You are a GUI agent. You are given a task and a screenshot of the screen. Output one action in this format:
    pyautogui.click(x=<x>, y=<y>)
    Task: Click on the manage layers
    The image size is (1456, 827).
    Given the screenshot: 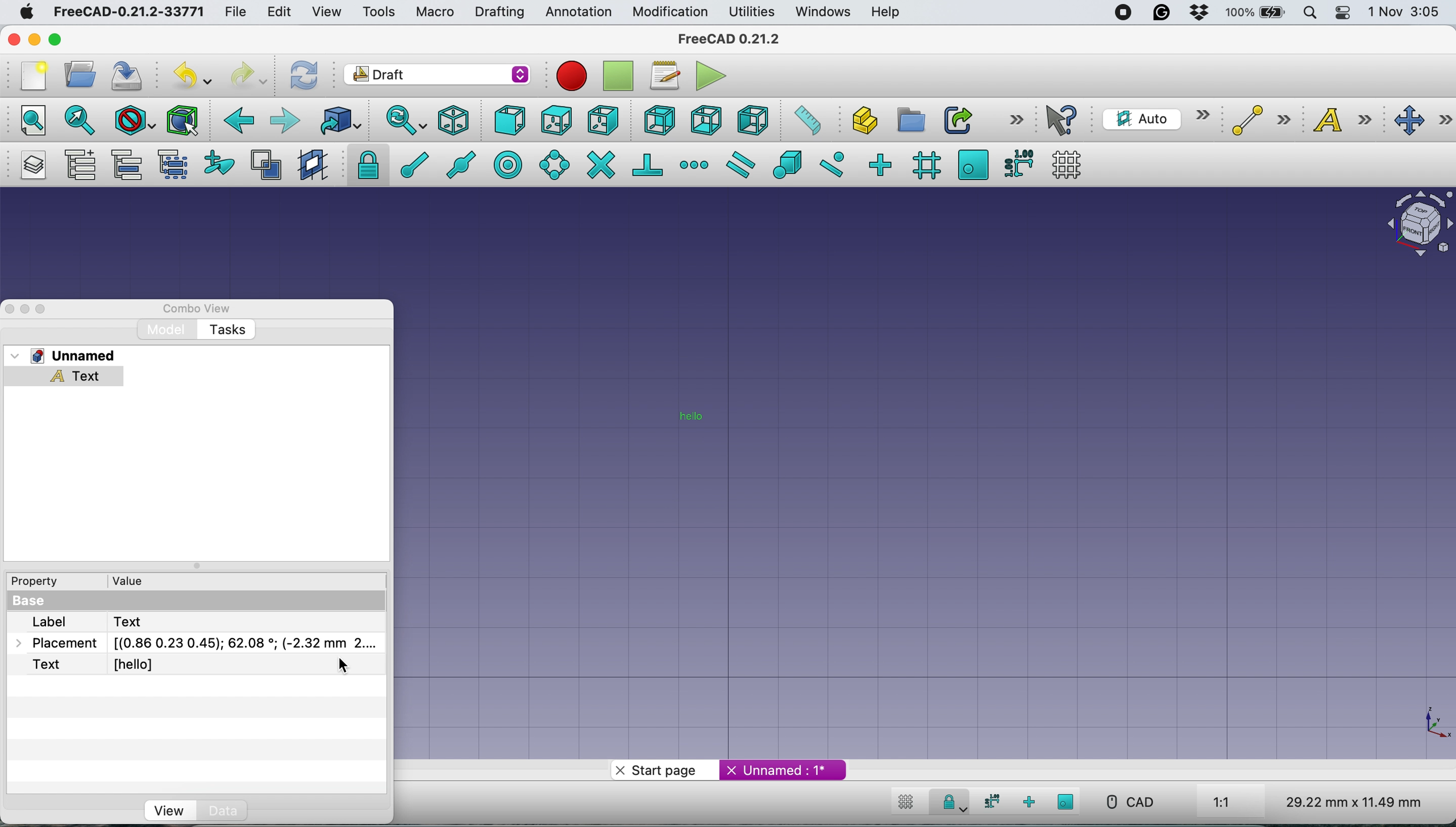 What is the action you would take?
    pyautogui.click(x=30, y=166)
    